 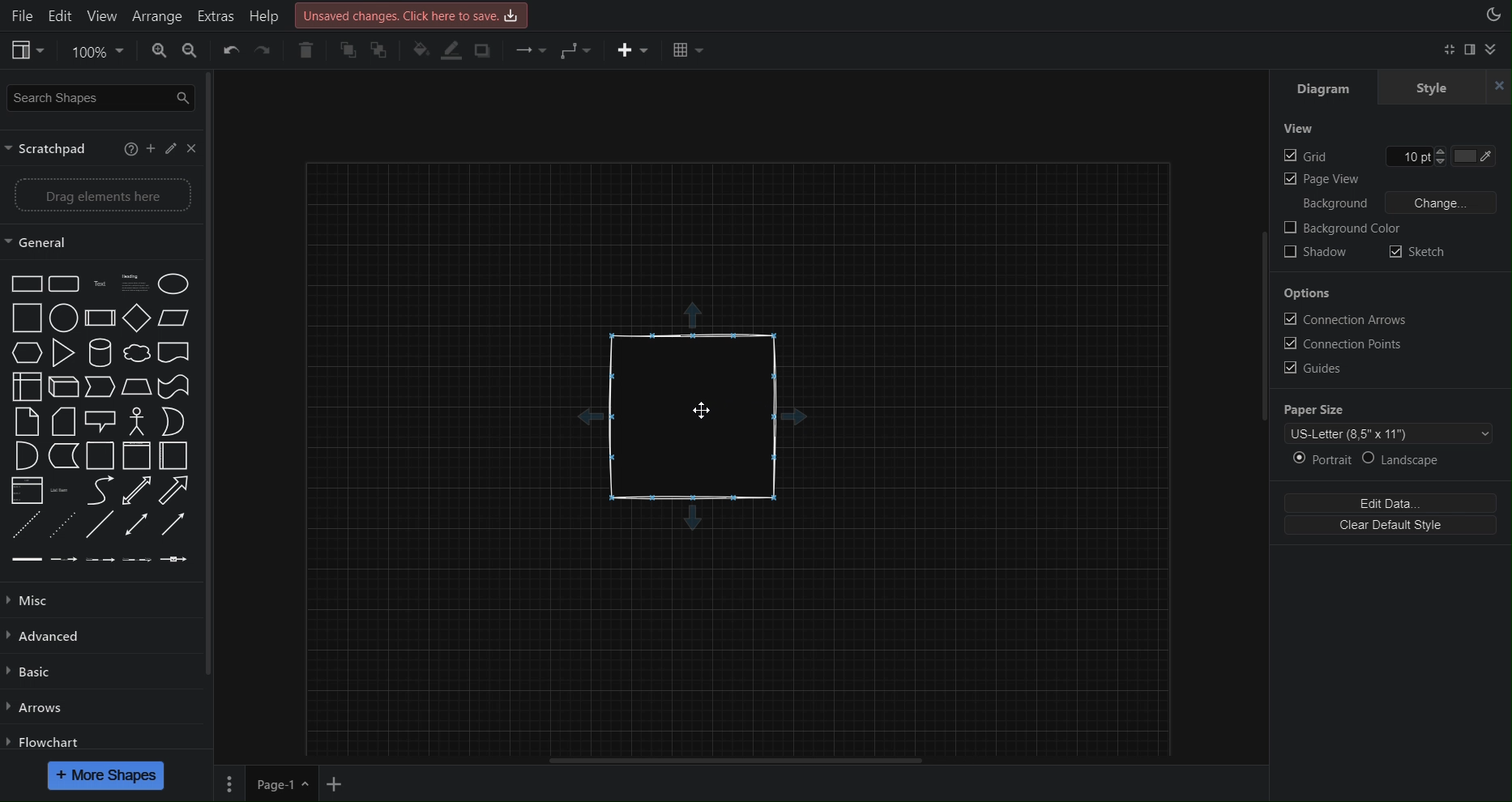 What do you see at coordinates (47, 738) in the screenshot?
I see `Flowchart` at bounding box center [47, 738].